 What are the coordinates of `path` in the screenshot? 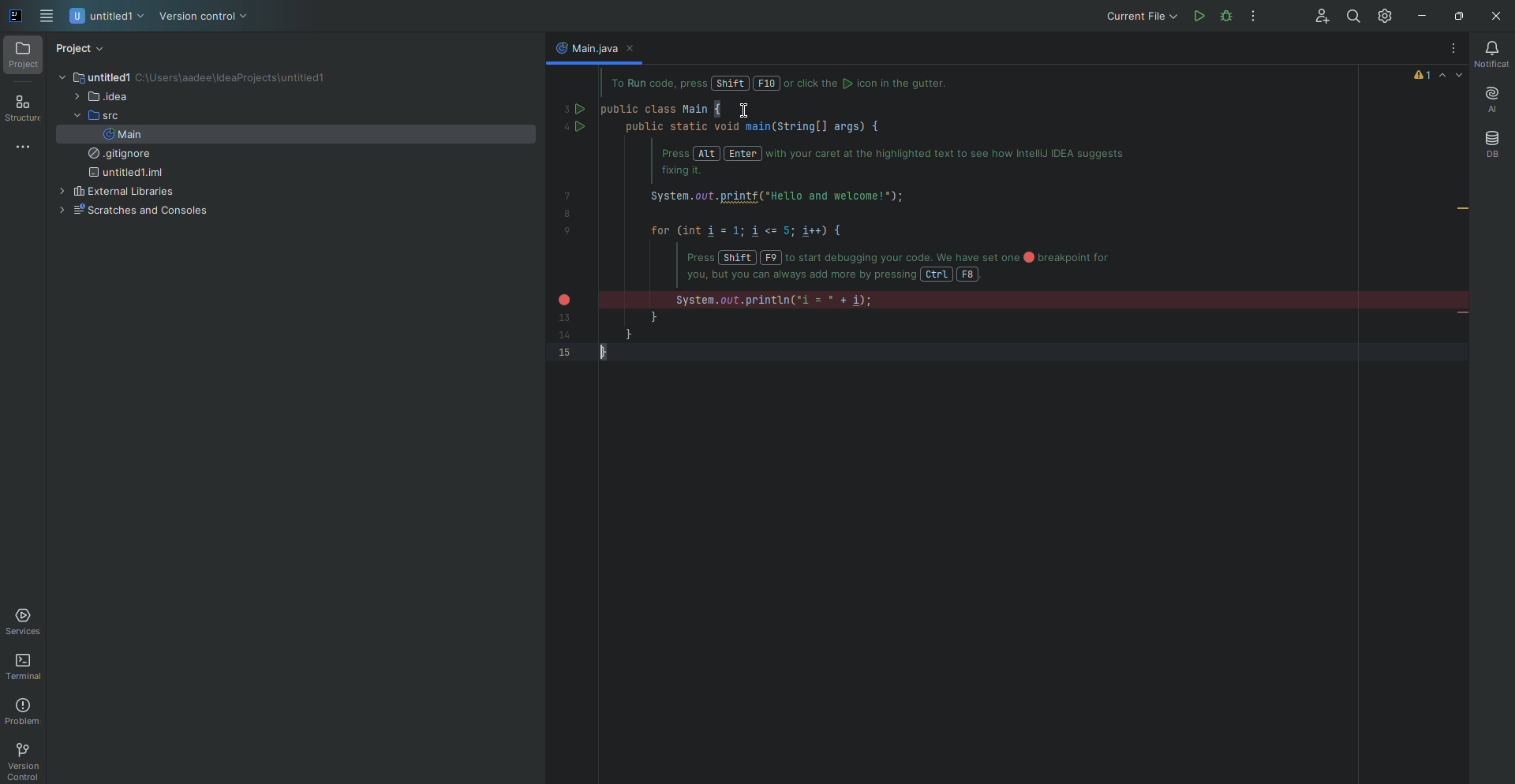 It's located at (235, 79).